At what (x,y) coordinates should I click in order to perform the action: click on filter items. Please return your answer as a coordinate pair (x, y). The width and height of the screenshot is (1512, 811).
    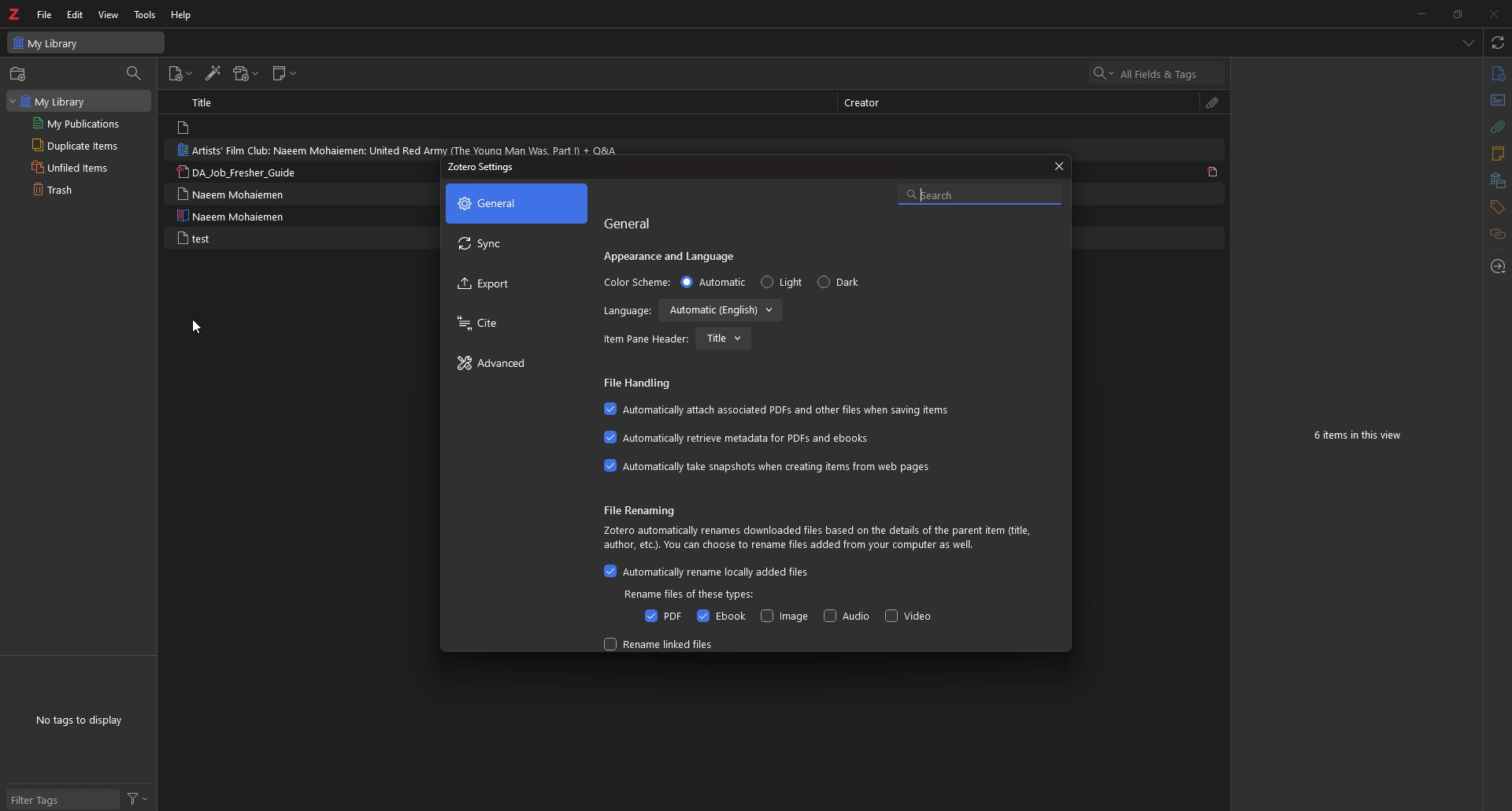
    Looking at the image, I should click on (137, 74).